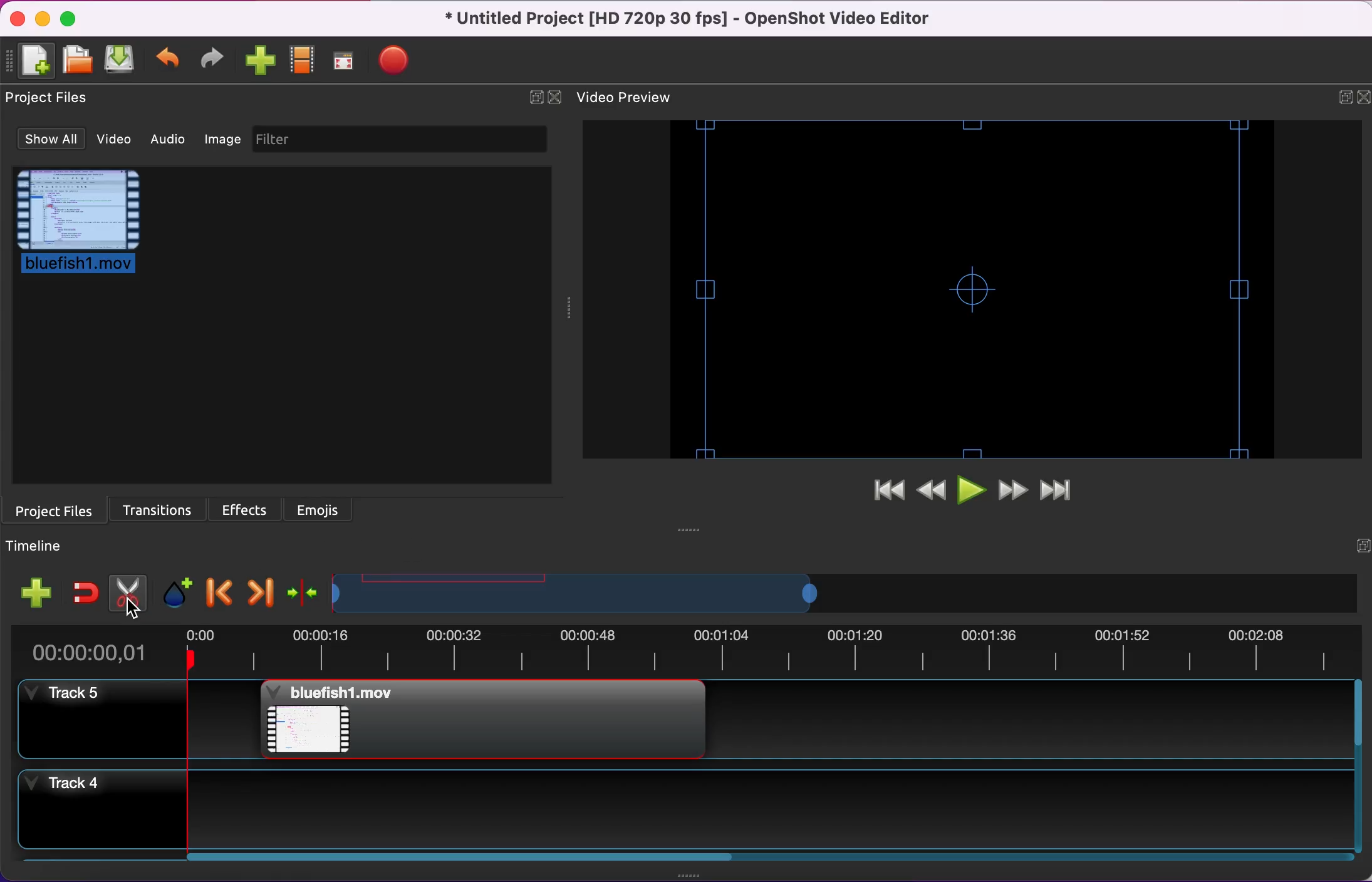 This screenshot has width=1372, height=882. I want to click on add track, so click(34, 590).